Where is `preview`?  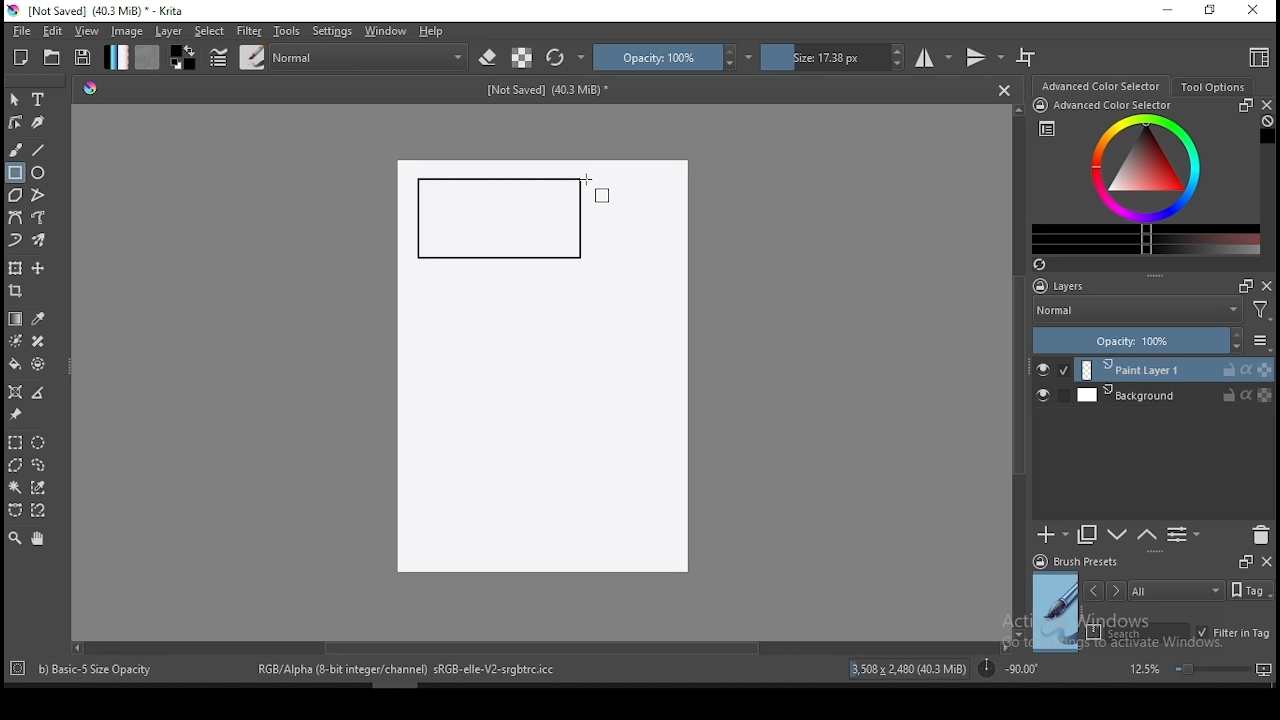
preview is located at coordinates (1056, 612).